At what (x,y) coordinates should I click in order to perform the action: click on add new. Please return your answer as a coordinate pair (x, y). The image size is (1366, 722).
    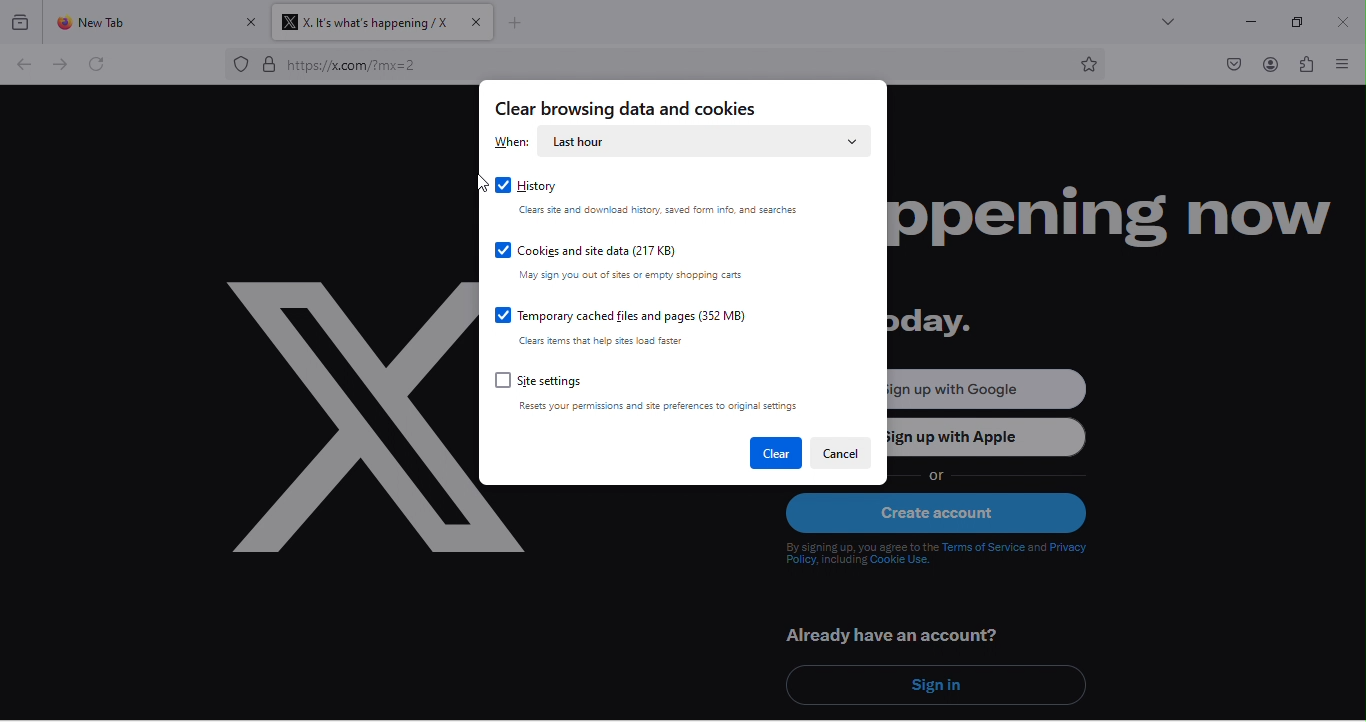
    Looking at the image, I should click on (518, 23).